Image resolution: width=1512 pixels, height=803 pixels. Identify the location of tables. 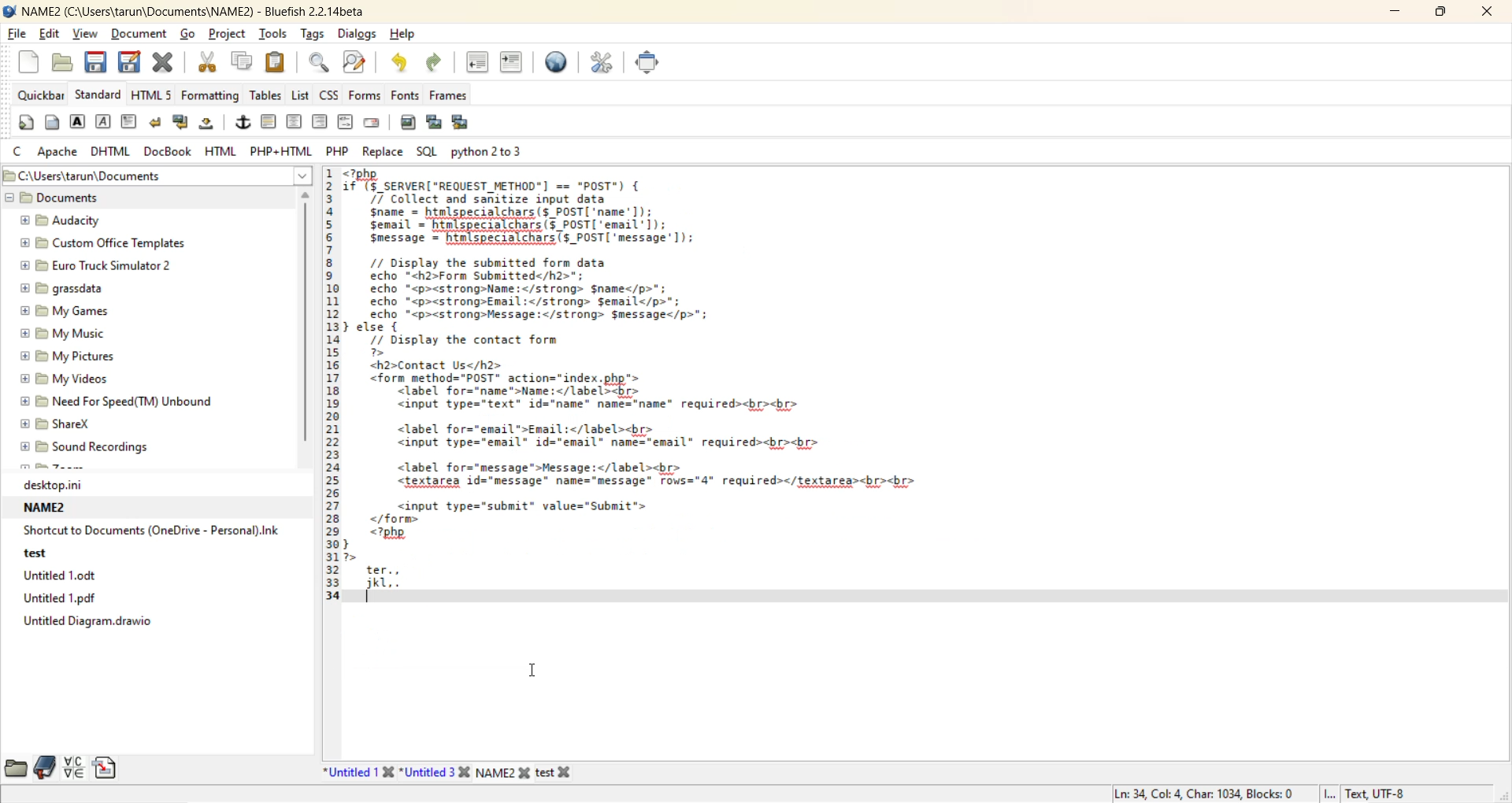
(265, 95).